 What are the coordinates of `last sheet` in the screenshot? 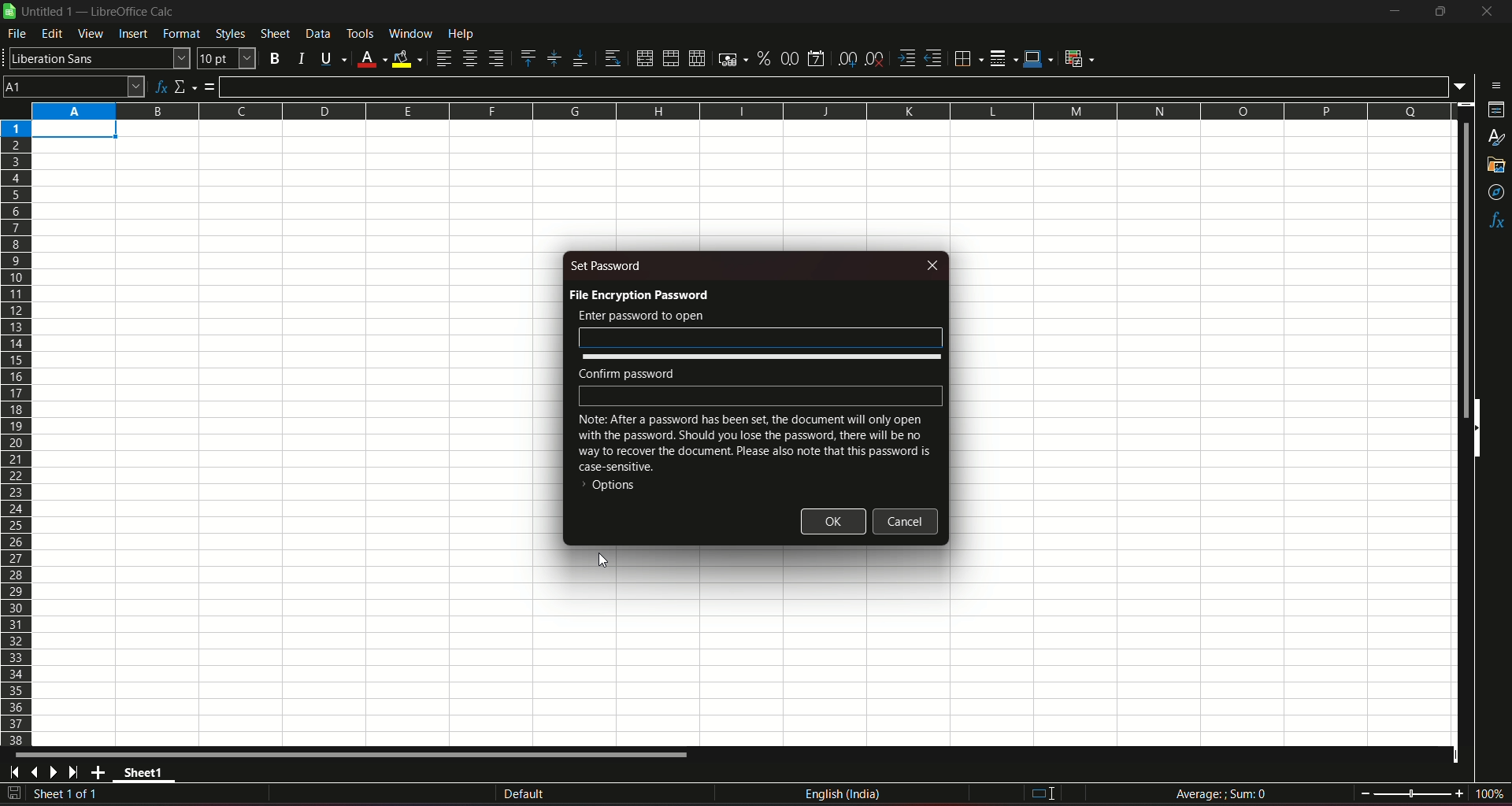 It's located at (74, 772).